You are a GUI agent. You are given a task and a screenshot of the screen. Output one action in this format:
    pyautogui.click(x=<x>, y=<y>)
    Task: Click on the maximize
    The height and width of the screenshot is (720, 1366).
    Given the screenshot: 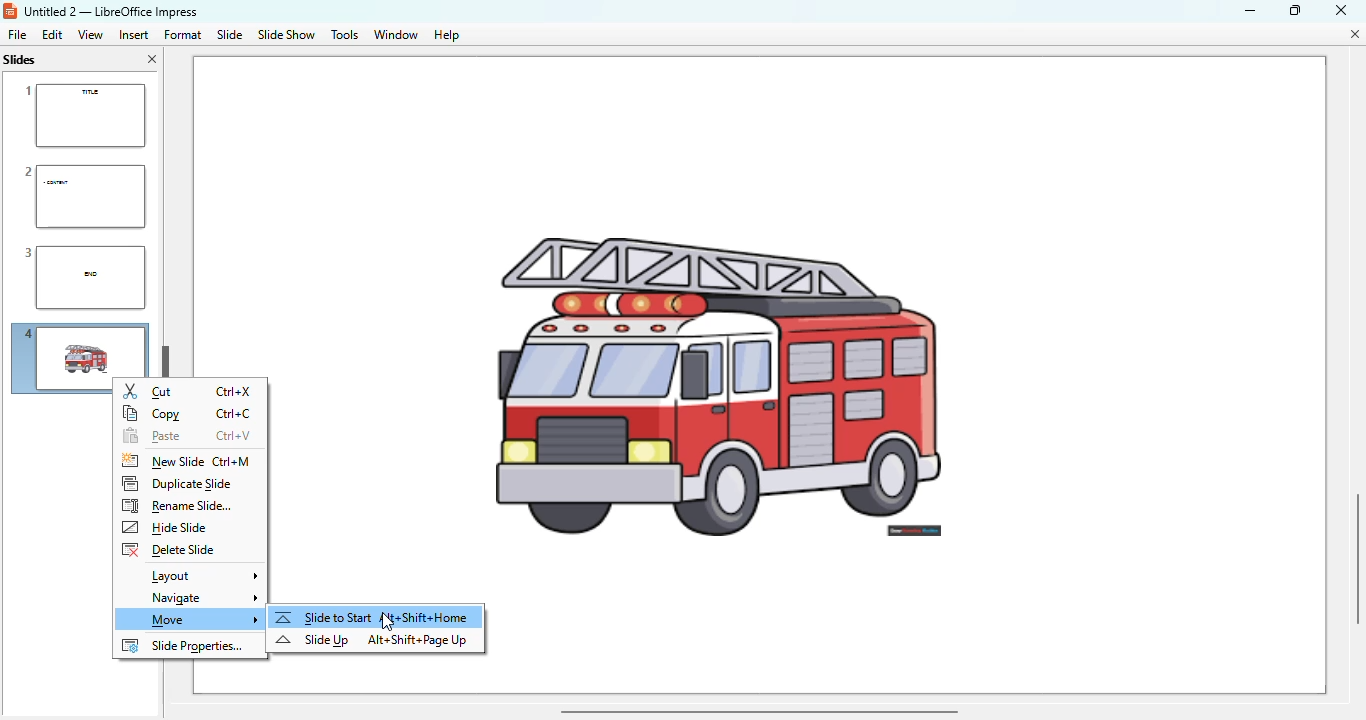 What is the action you would take?
    pyautogui.click(x=1295, y=9)
    